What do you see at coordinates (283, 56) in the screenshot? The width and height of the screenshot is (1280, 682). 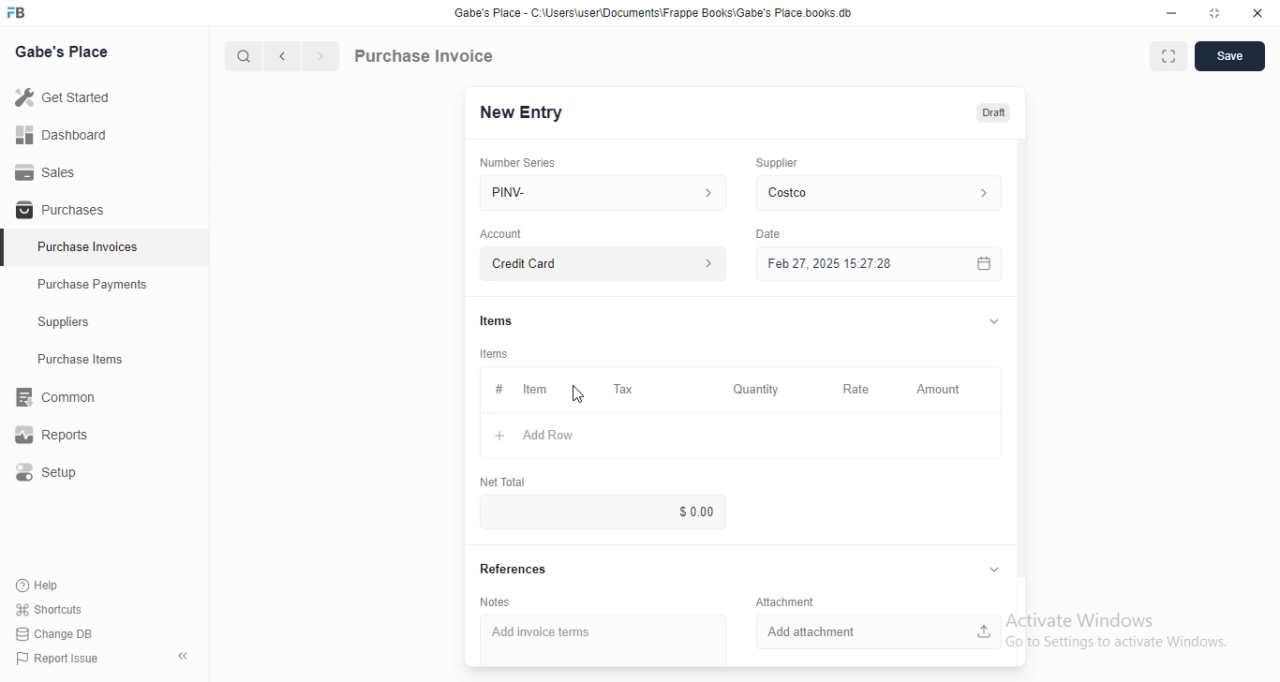 I see `Previous button` at bounding box center [283, 56].